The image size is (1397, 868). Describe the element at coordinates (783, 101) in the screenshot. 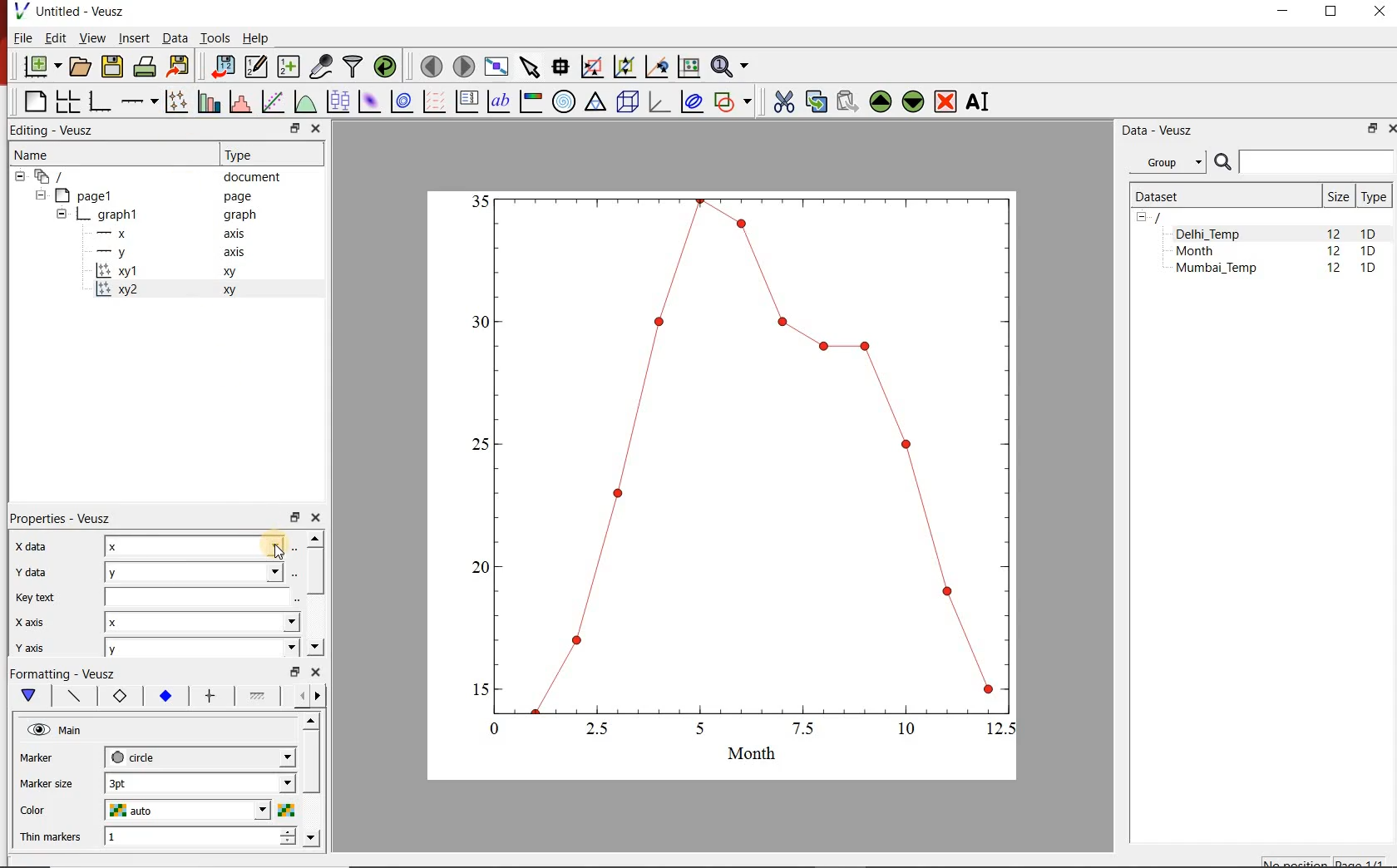

I see `cut the selected widget` at that location.